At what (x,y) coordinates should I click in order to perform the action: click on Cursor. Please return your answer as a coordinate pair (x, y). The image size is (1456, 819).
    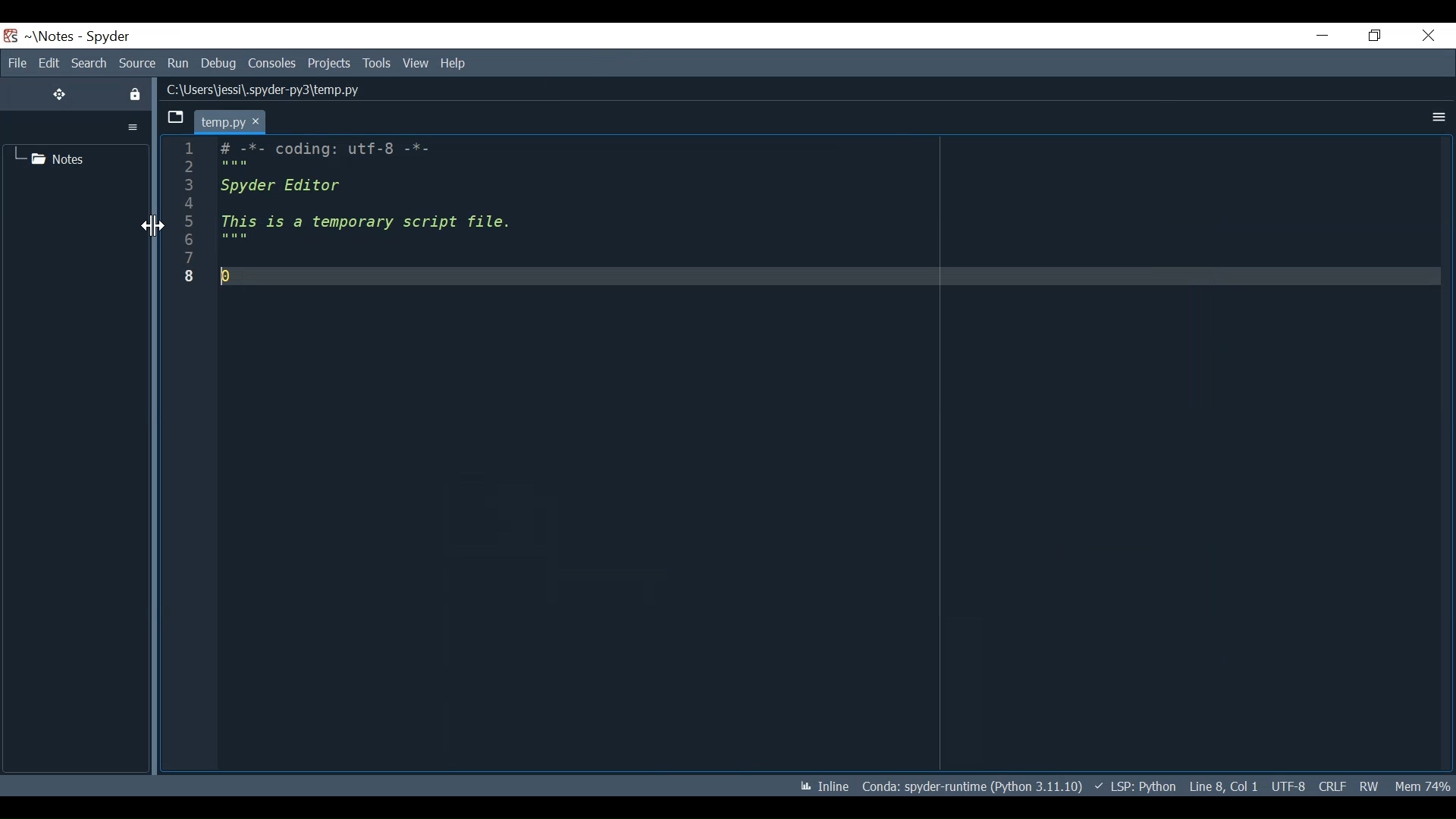
    Looking at the image, I should click on (152, 227).